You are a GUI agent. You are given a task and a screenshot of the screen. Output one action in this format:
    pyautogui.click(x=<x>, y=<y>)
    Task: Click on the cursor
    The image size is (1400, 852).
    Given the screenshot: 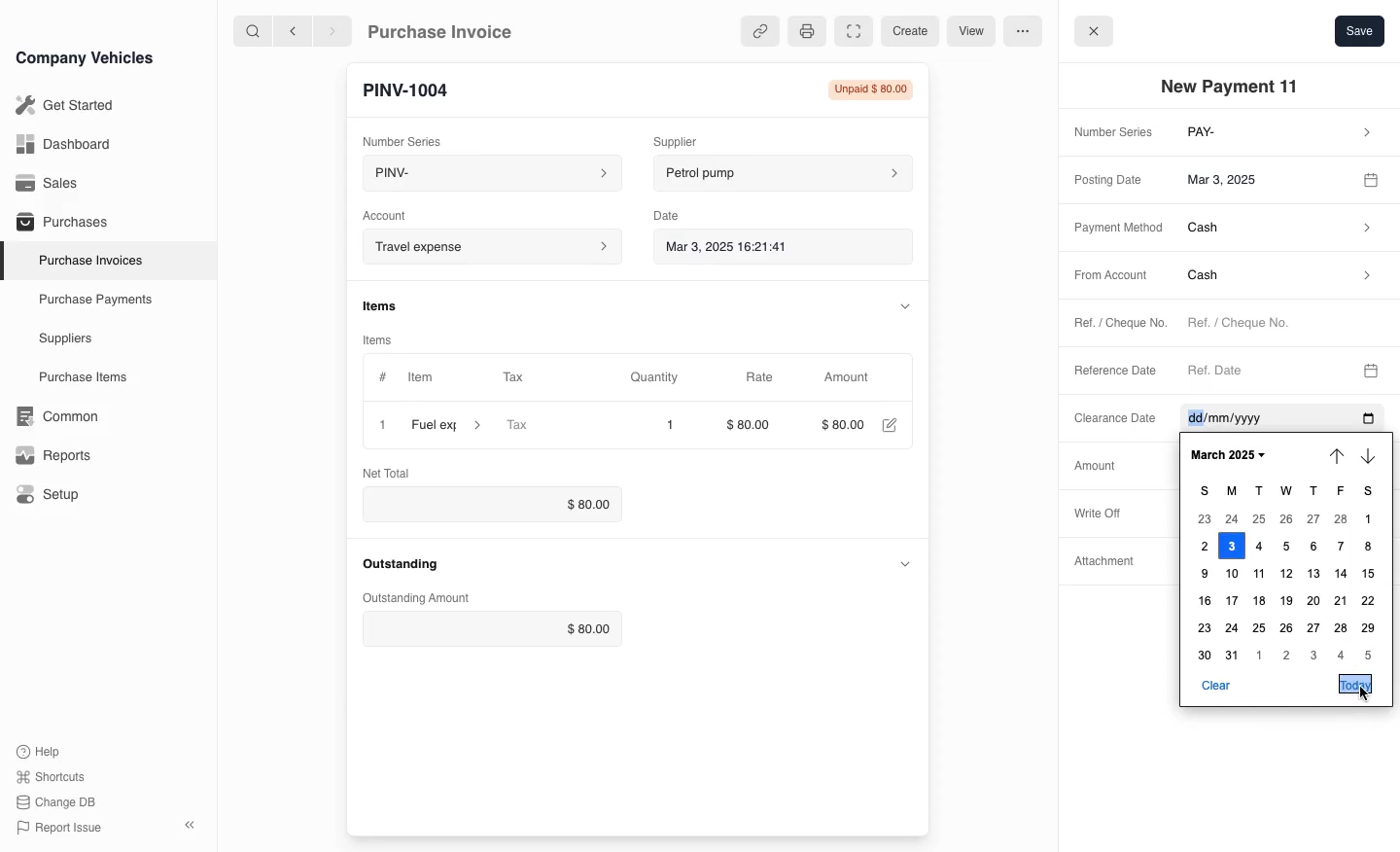 What is the action you would take?
    pyautogui.click(x=1363, y=699)
    